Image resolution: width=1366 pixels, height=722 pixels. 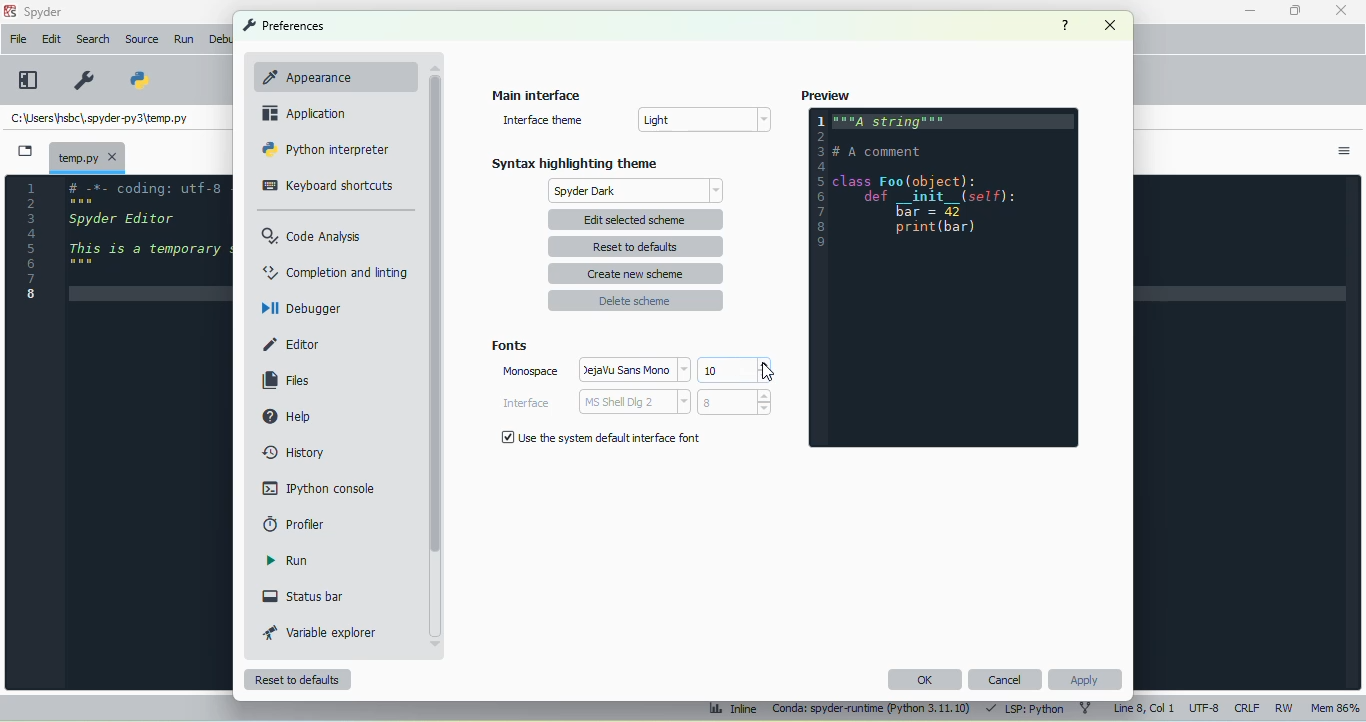 What do you see at coordinates (149, 245) in the screenshot?
I see `editor` at bounding box center [149, 245].